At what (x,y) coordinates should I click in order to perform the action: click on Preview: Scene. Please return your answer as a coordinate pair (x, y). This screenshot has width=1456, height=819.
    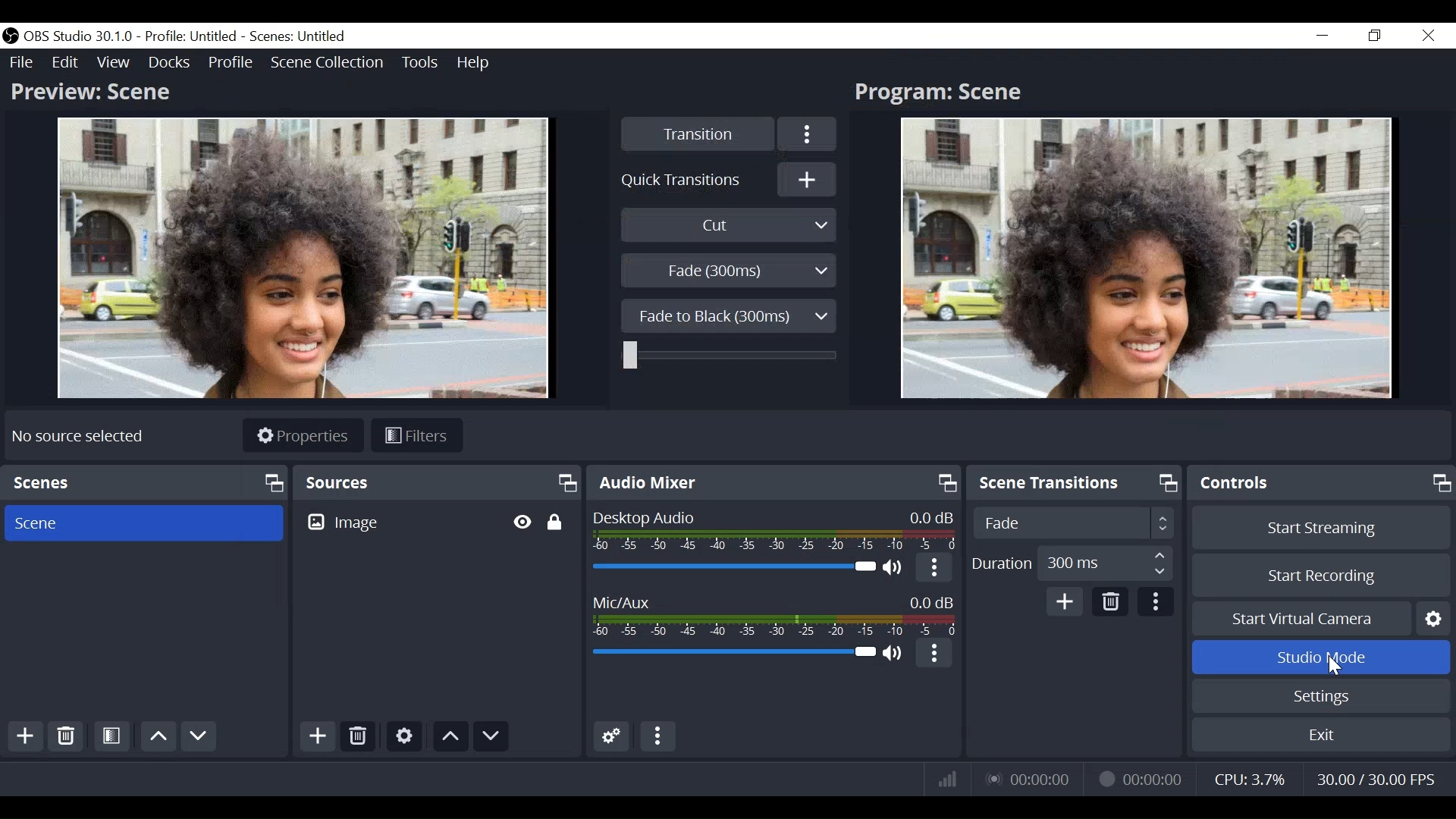
    Looking at the image, I should click on (96, 94).